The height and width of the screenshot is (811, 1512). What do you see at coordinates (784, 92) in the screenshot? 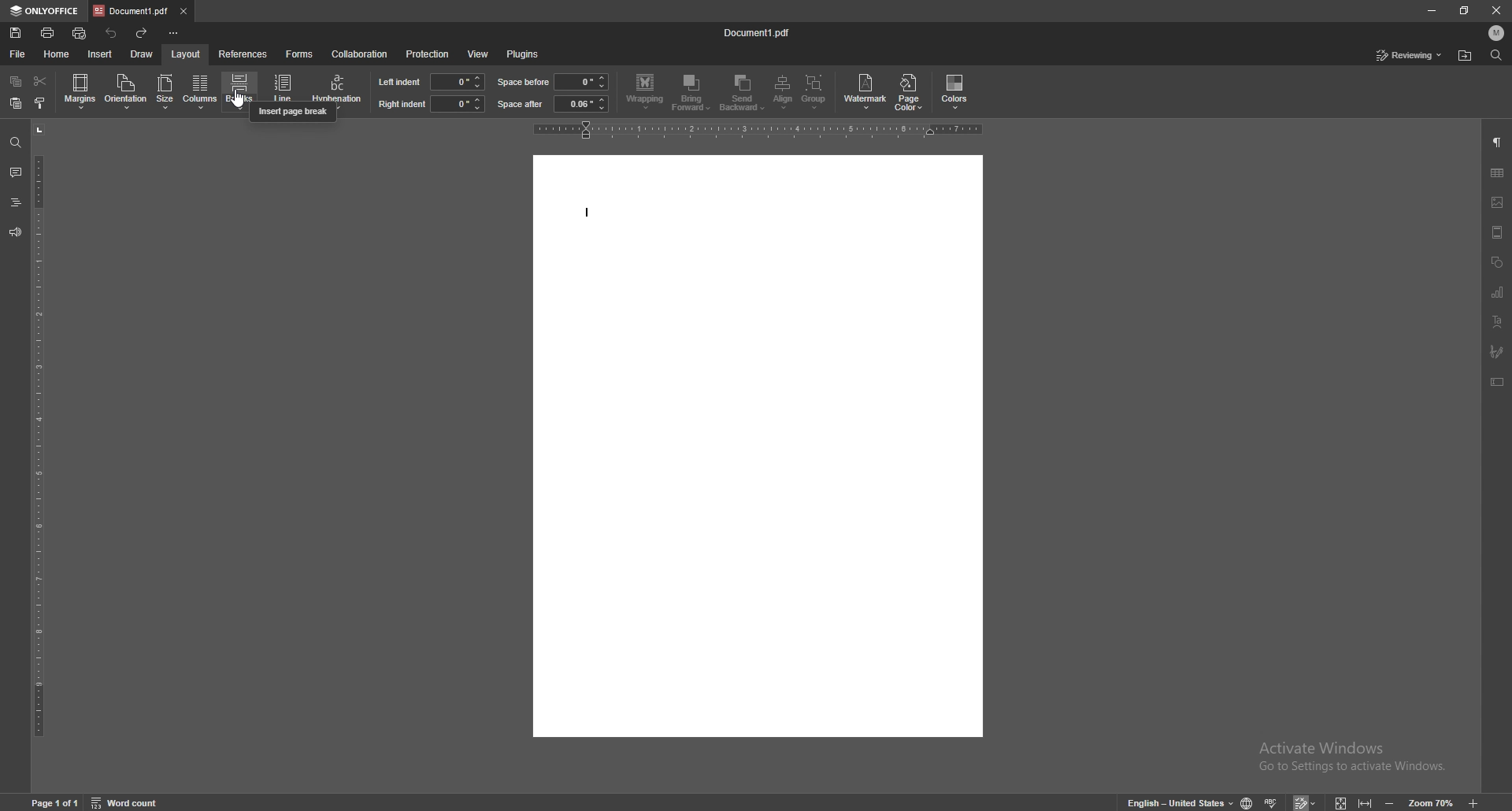
I see `align` at bounding box center [784, 92].